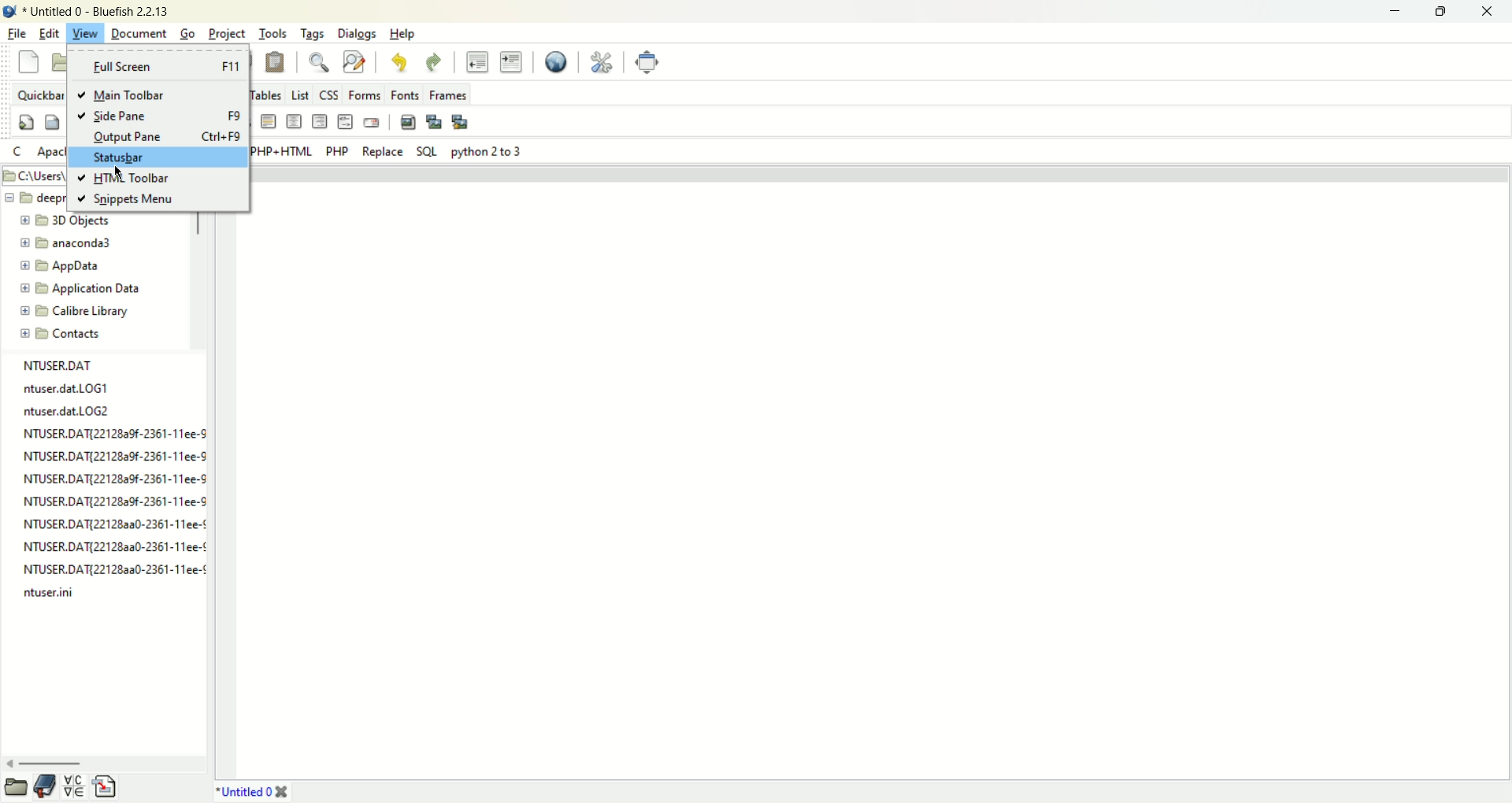 The height and width of the screenshot is (803, 1512). Describe the element at coordinates (1488, 13) in the screenshot. I see `close` at that location.